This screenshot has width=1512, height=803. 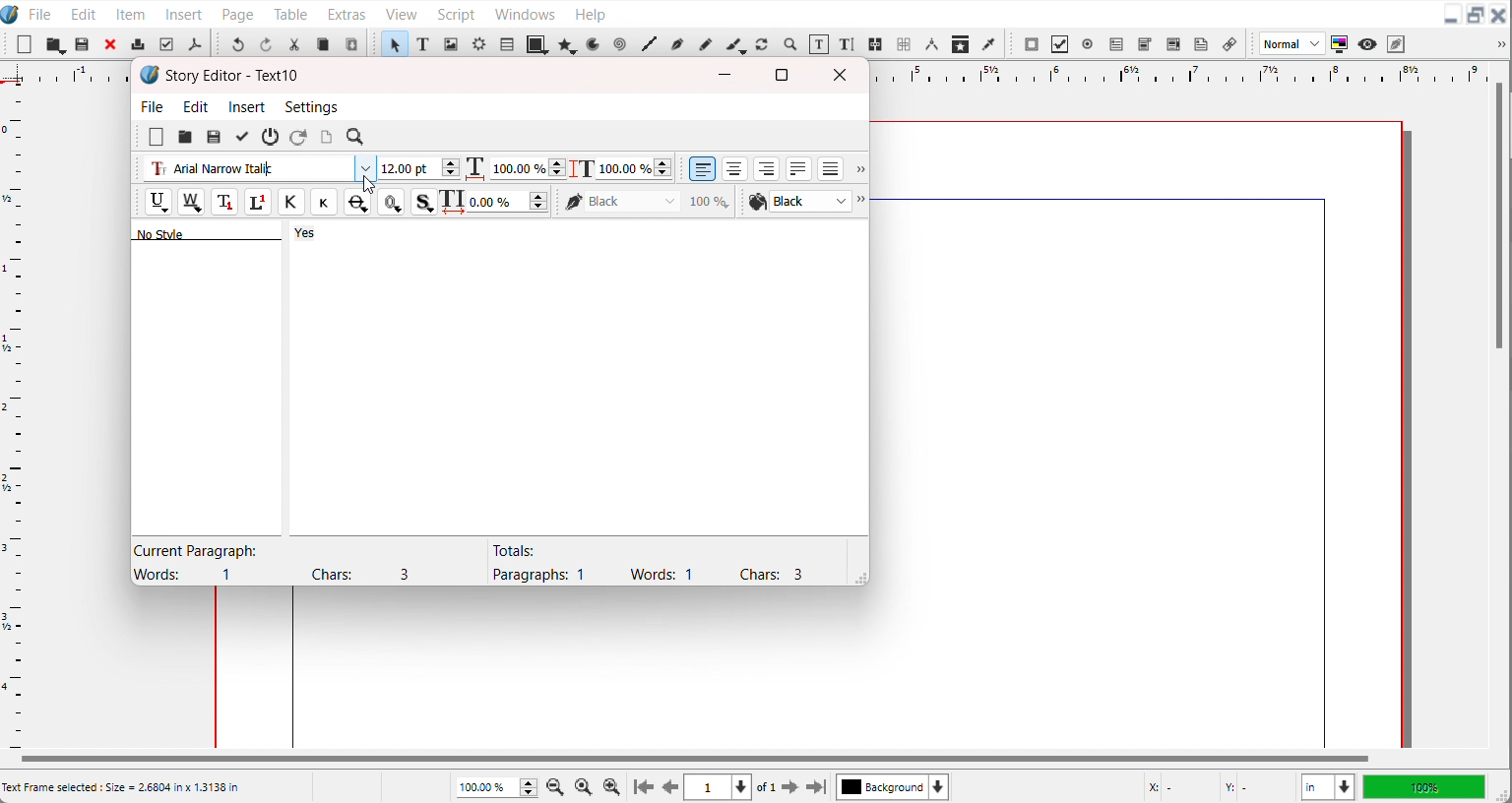 What do you see at coordinates (595, 43) in the screenshot?
I see `Arc` at bounding box center [595, 43].